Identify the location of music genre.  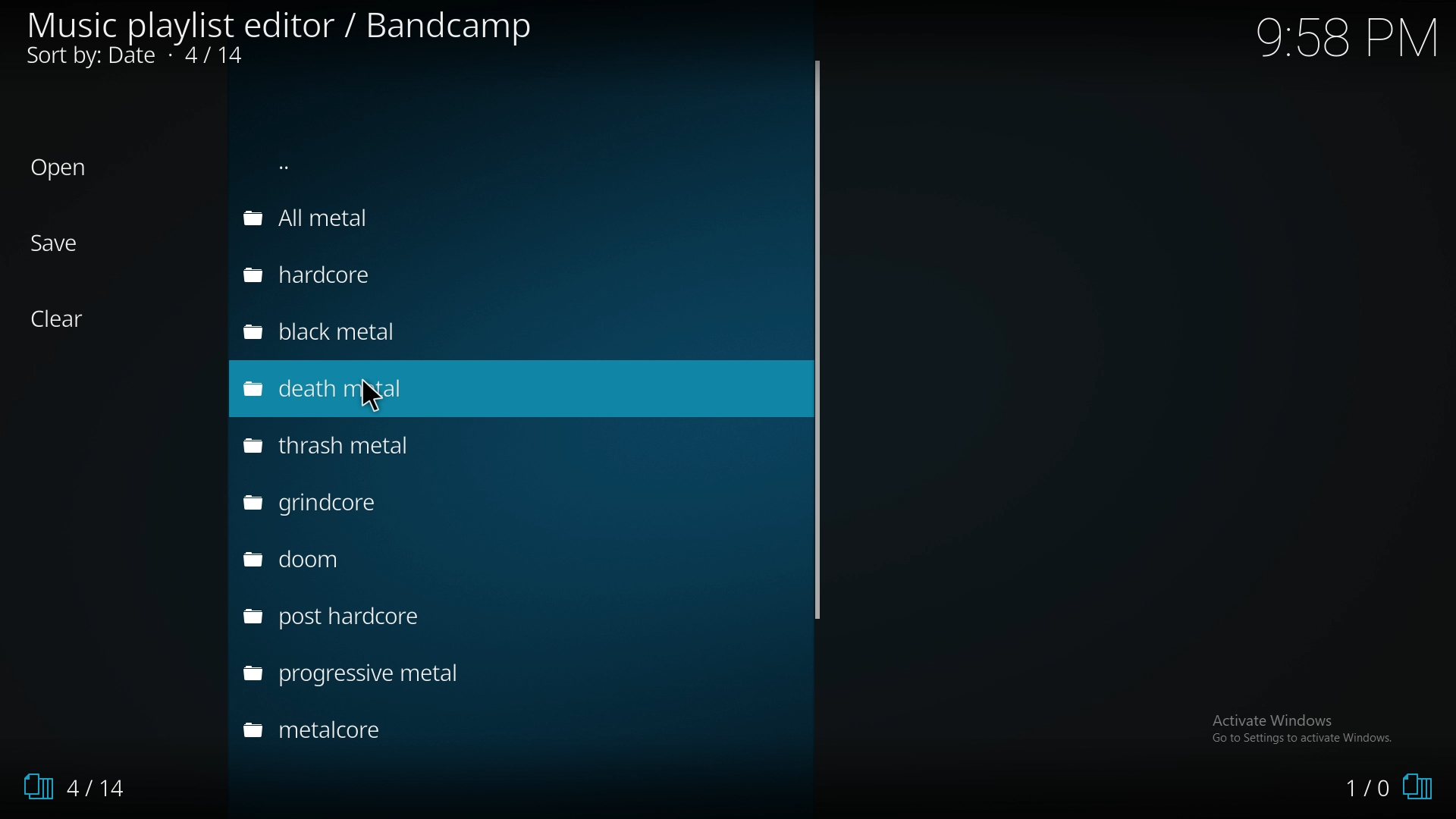
(403, 219).